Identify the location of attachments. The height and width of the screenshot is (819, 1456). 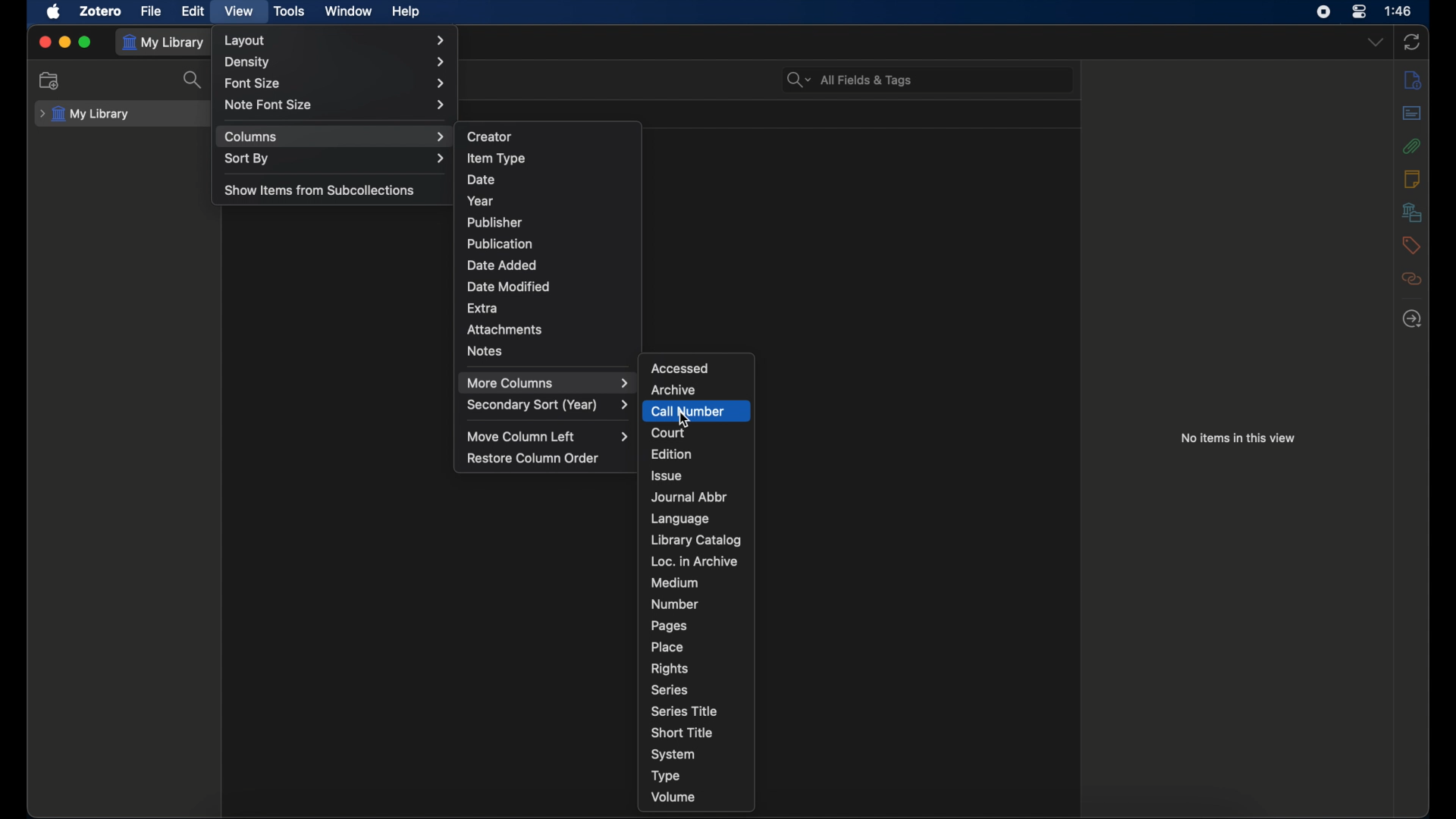
(505, 330).